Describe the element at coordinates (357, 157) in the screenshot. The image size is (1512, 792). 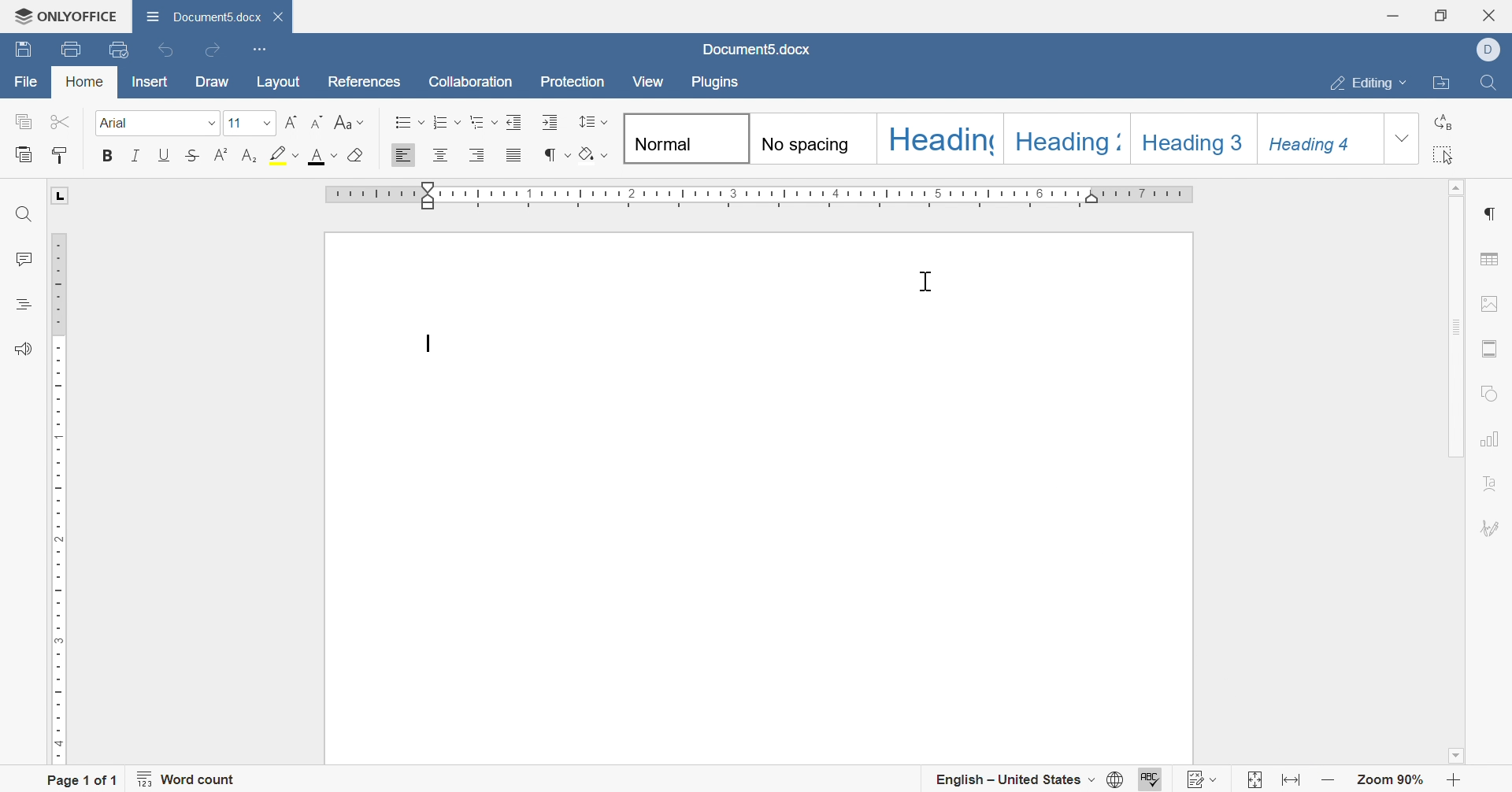
I see `clear style` at that location.